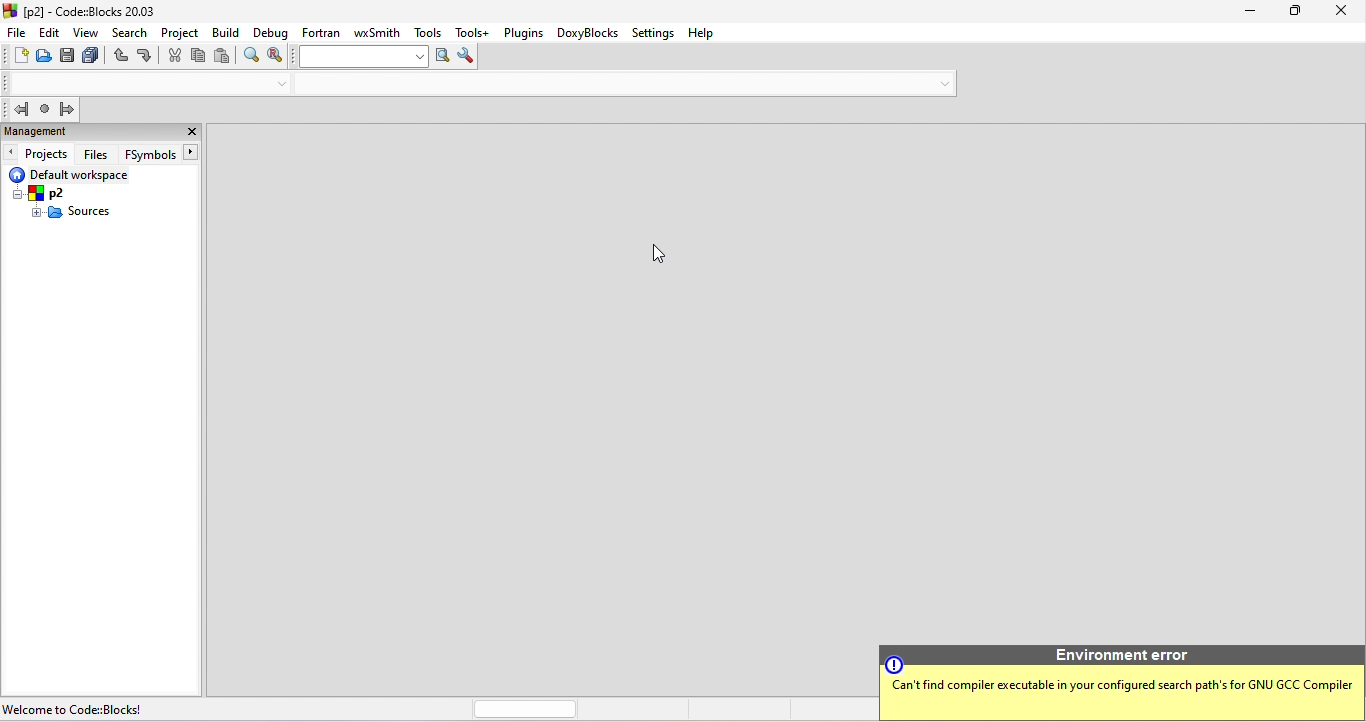  What do you see at coordinates (943, 83) in the screenshot?
I see `dropdown` at bounding box center [943, 83].